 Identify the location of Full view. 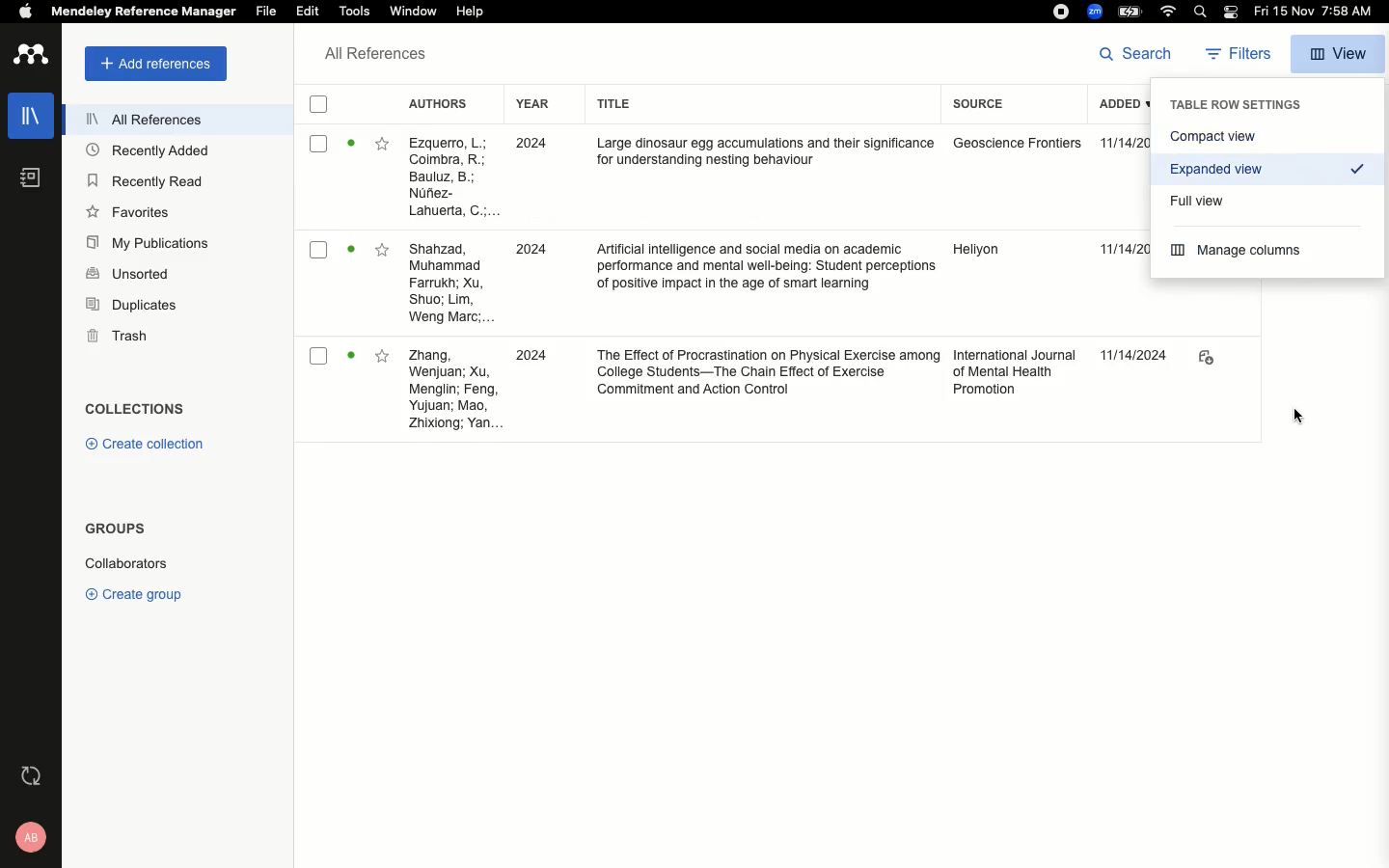
(1201, 199).